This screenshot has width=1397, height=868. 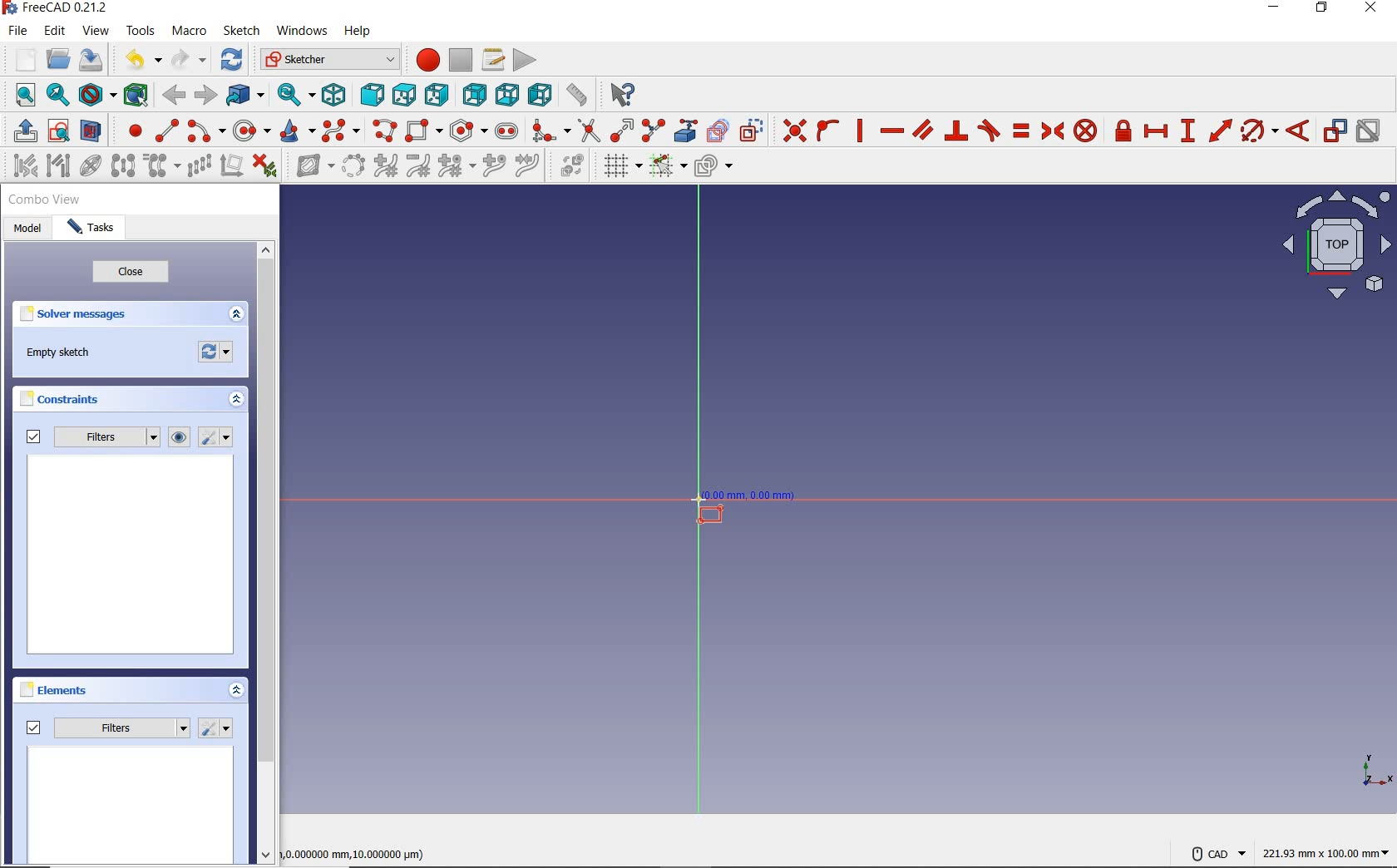 I want to click on sketch, so click(x=243, y=31).